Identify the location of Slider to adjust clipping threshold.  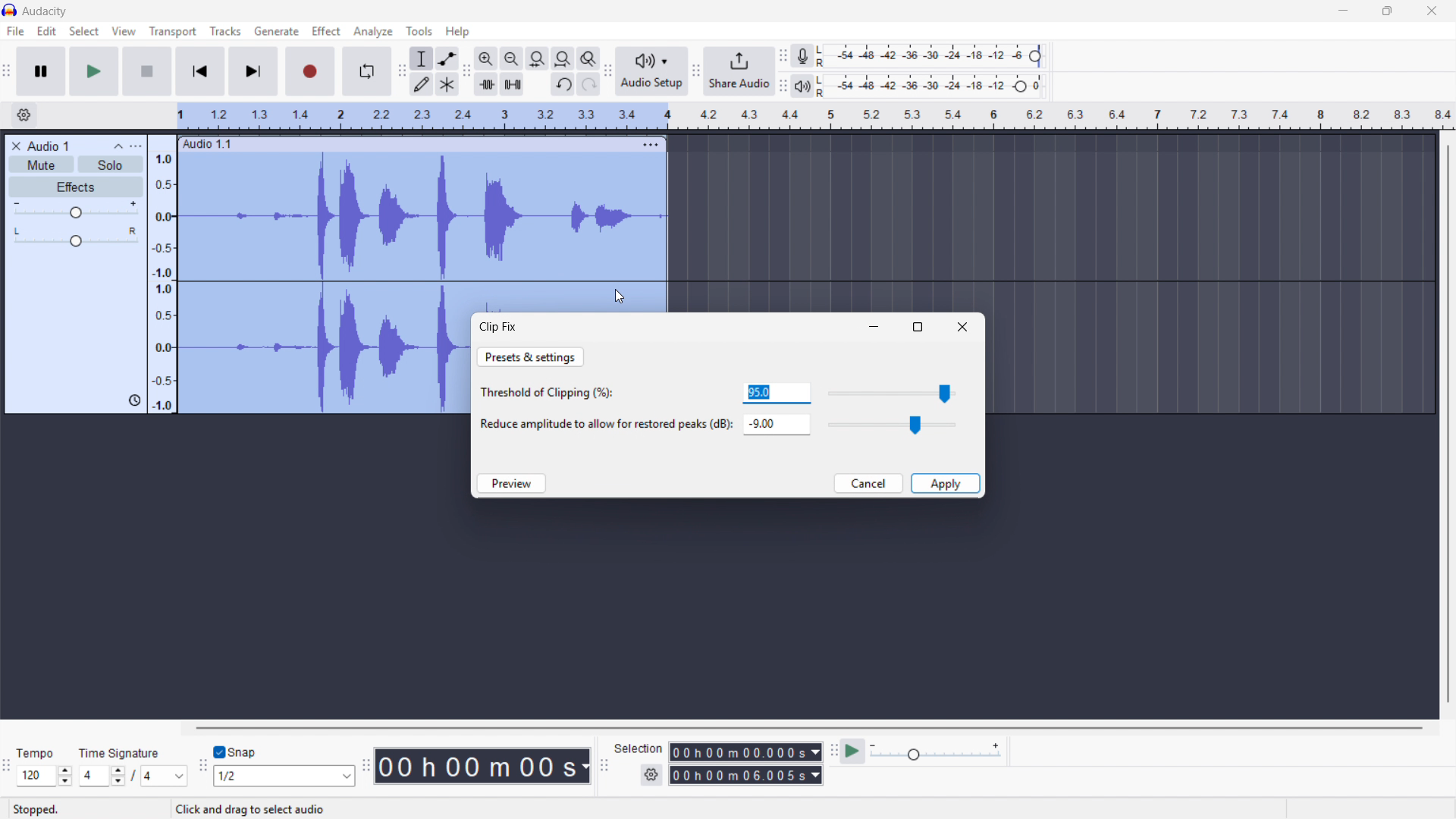
(894, 393).